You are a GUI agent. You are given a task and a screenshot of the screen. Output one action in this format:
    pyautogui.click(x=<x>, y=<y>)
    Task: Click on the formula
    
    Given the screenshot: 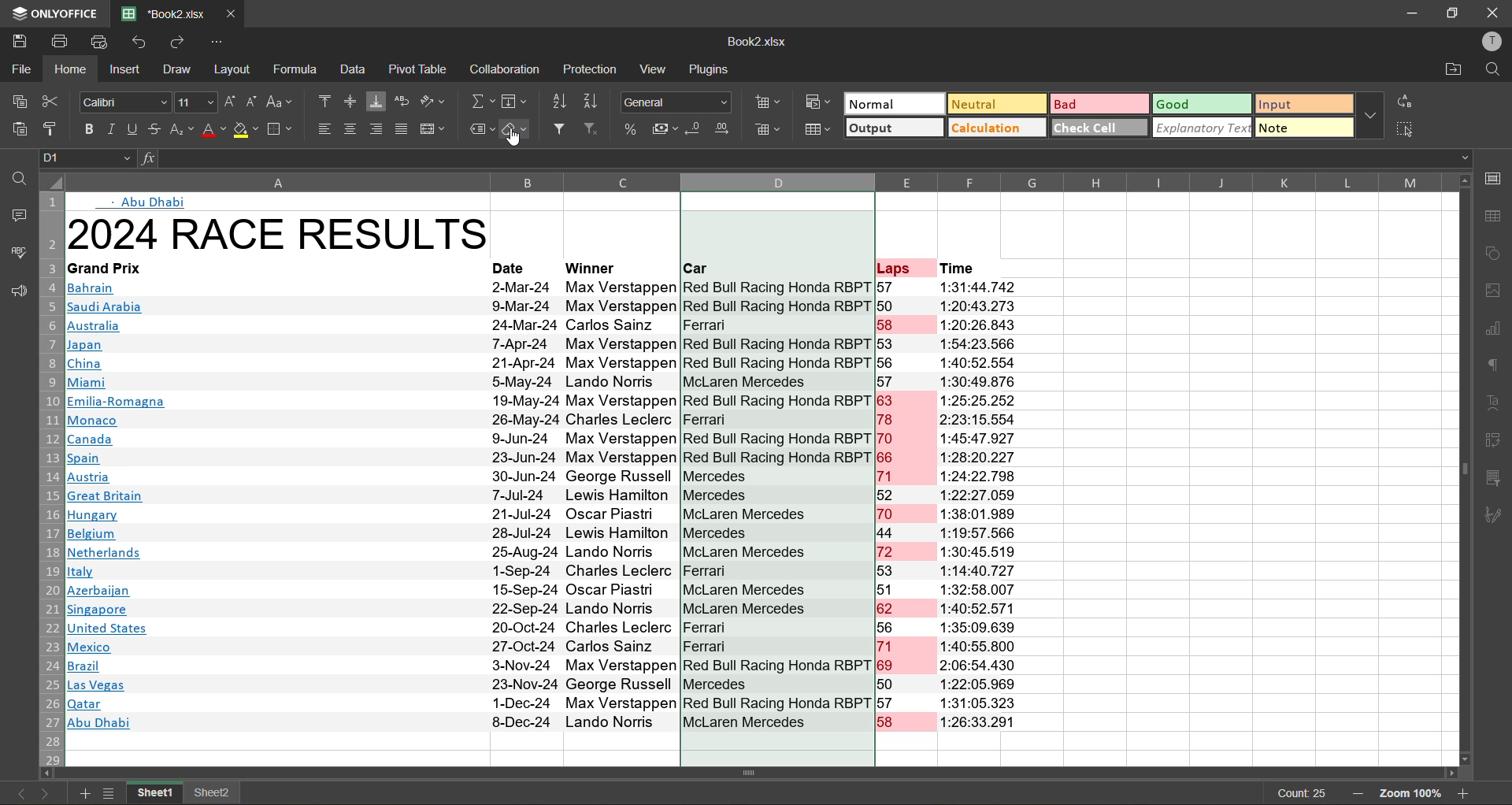 What is the action you would take?
    pyautogui.click(x=298, y=69)
    